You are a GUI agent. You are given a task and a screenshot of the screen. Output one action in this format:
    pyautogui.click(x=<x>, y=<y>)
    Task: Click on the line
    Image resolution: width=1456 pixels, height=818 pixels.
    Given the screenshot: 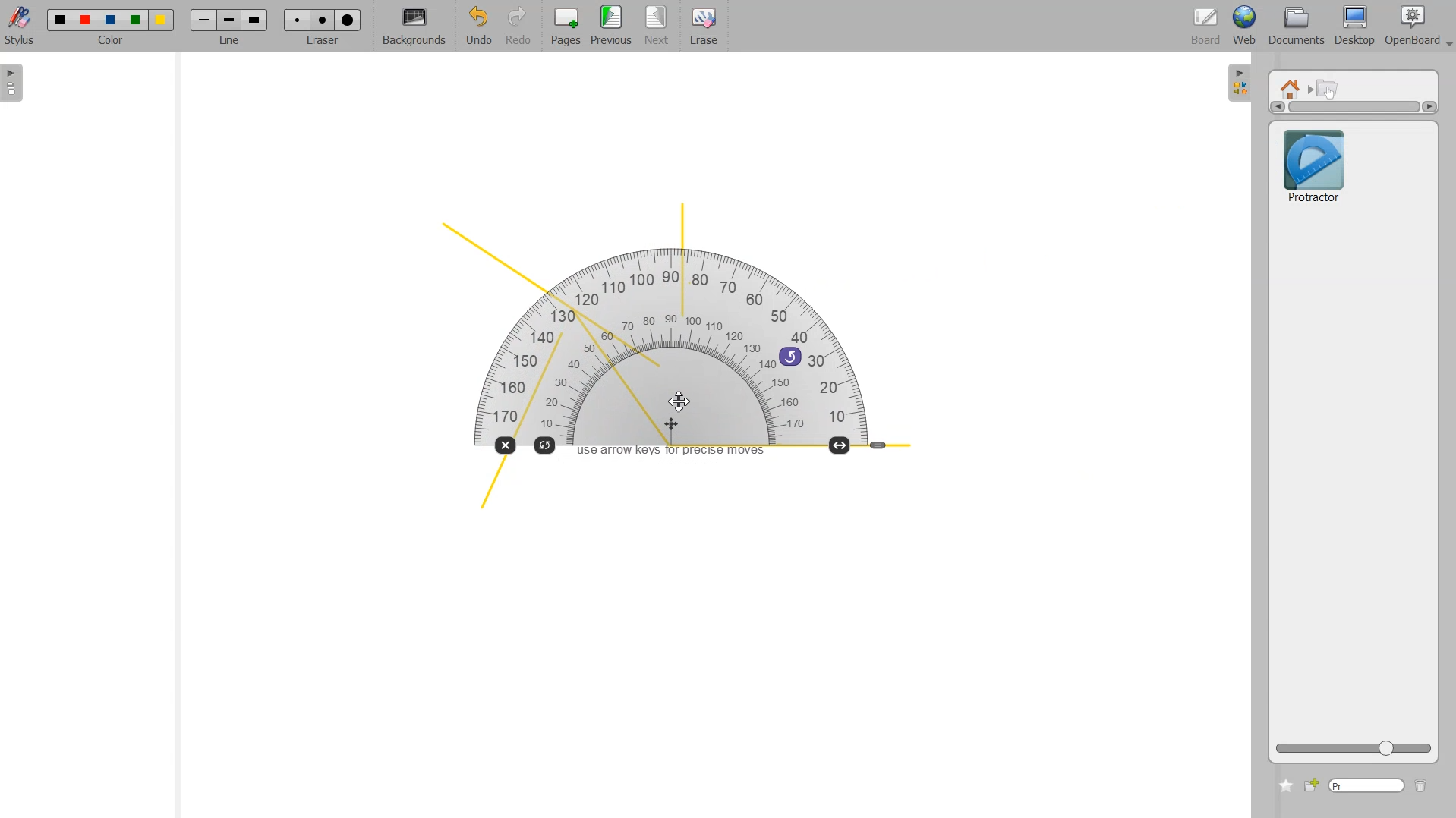 What is the action you would take?
    pyautogui.click(x=232, y=42)
    